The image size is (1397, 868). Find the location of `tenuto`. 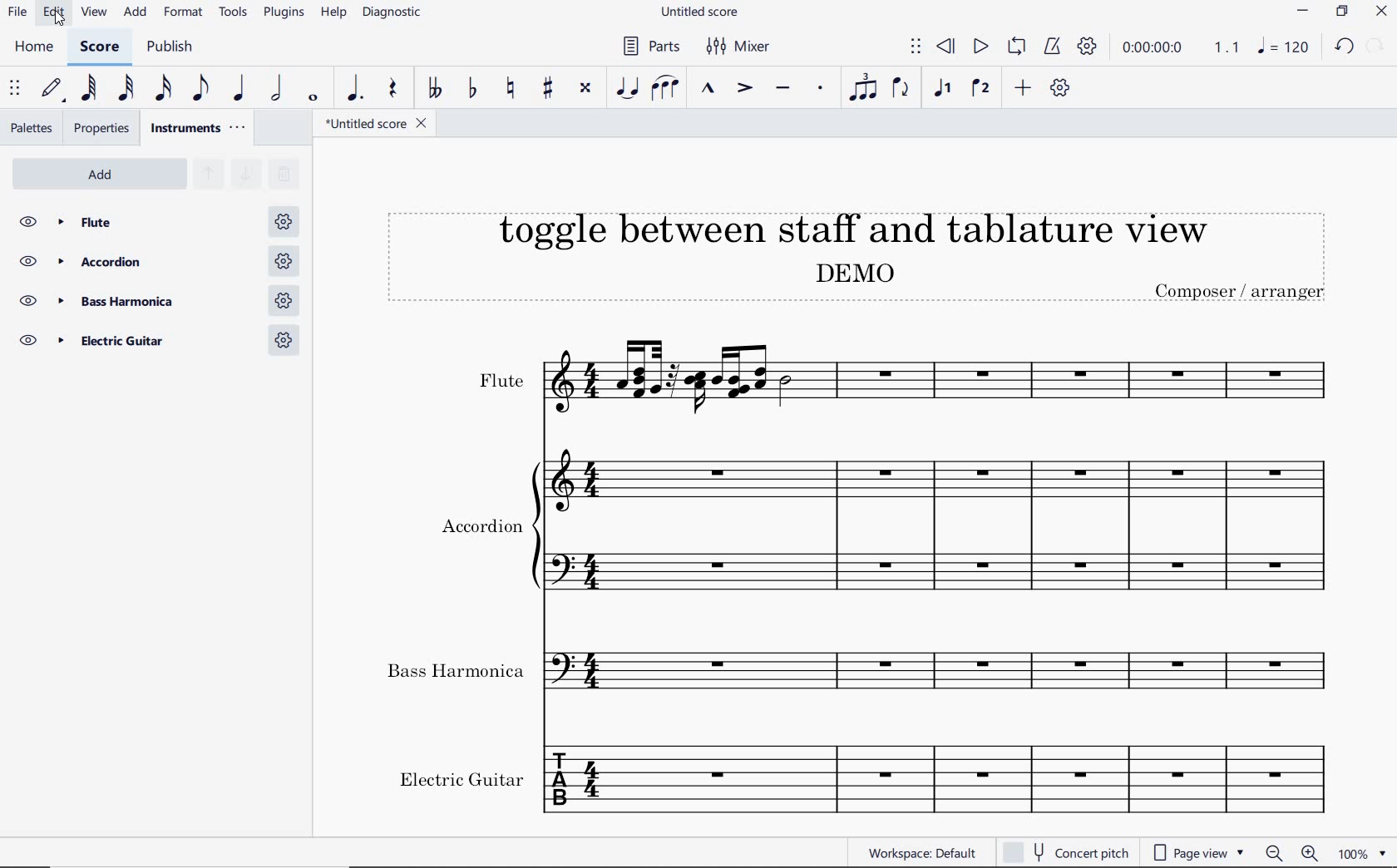

tenuto is located at coordinates (783, 89).